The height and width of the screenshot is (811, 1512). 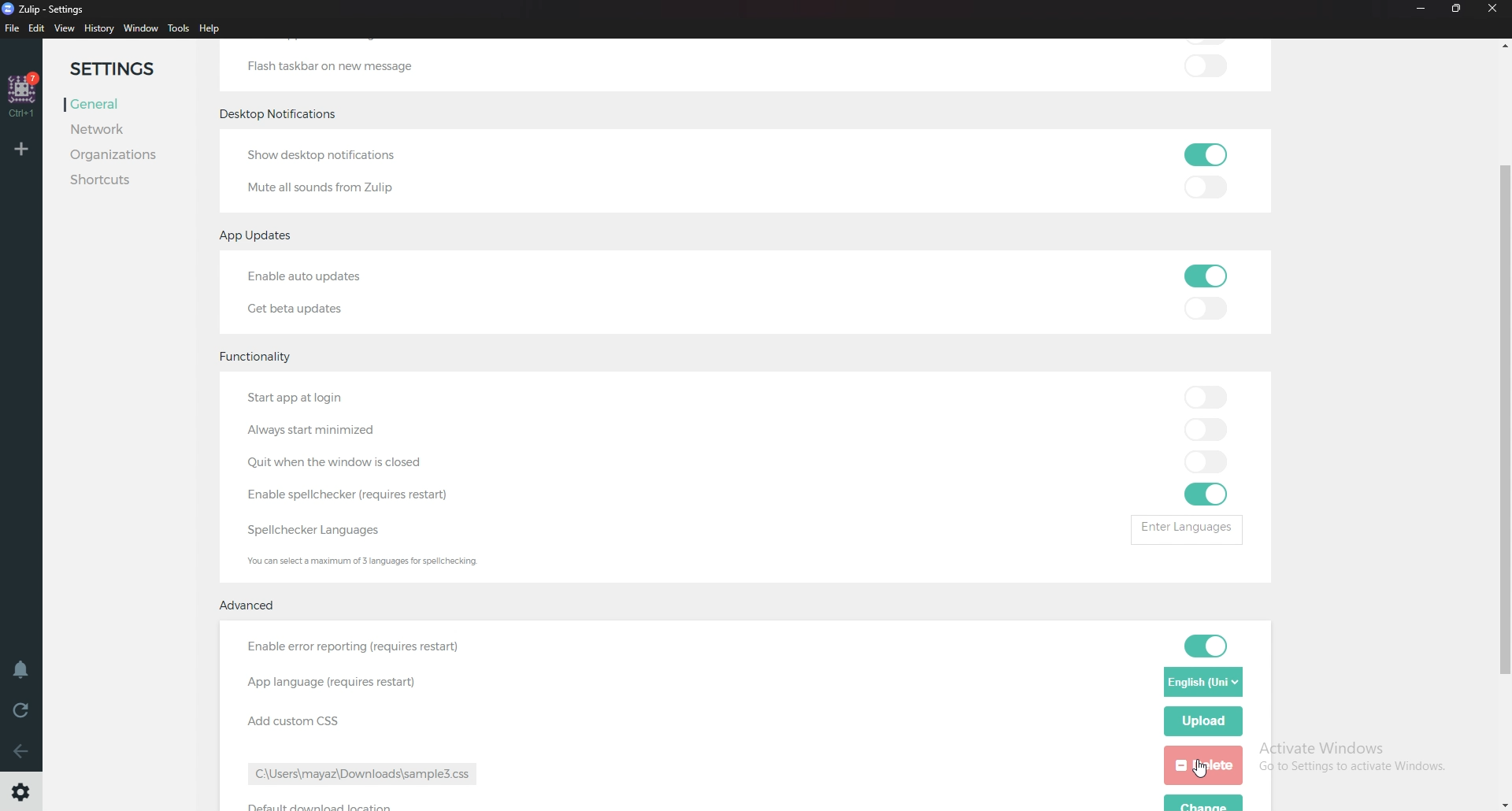 What do you see at coordinates (264, 353) in the screenshot?
I see `Functionality` at bounding box center [264, 353].